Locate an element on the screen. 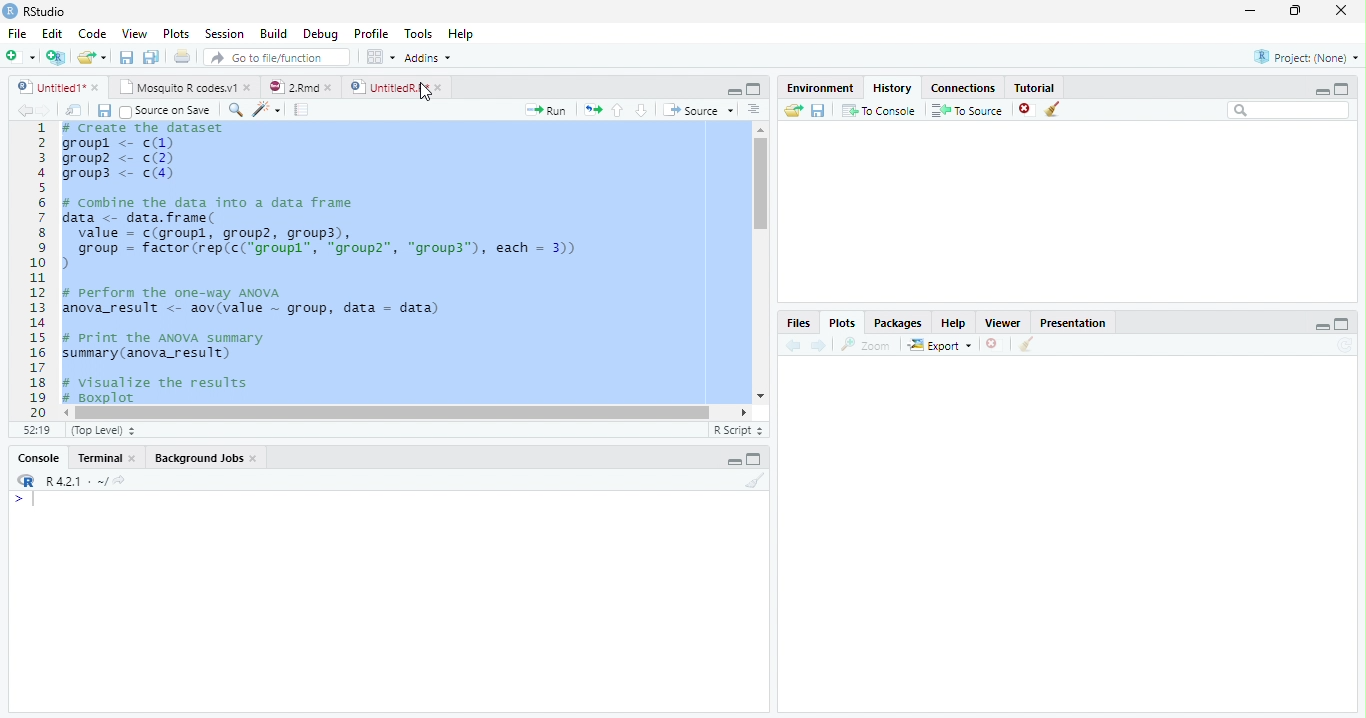 The image size is (1366, 718). Delete is located at coordinates (993, 345).